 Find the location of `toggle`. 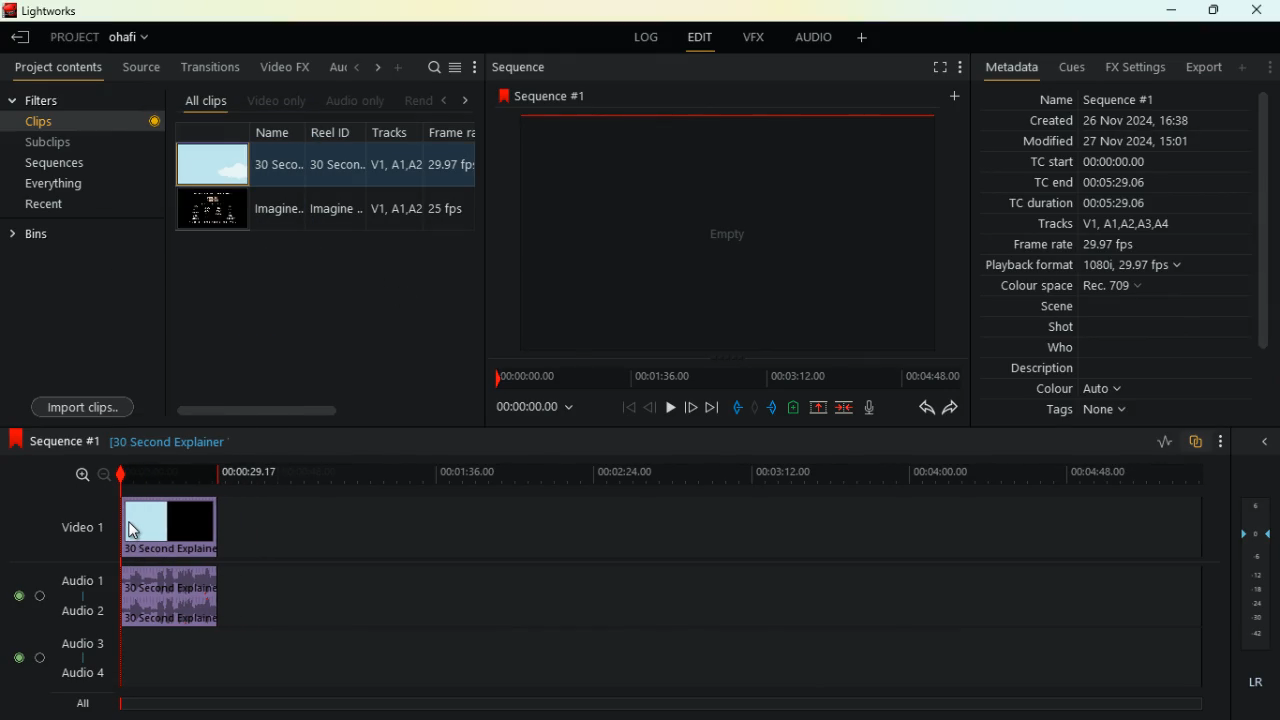

toggle is located at coordinates (19, 596).